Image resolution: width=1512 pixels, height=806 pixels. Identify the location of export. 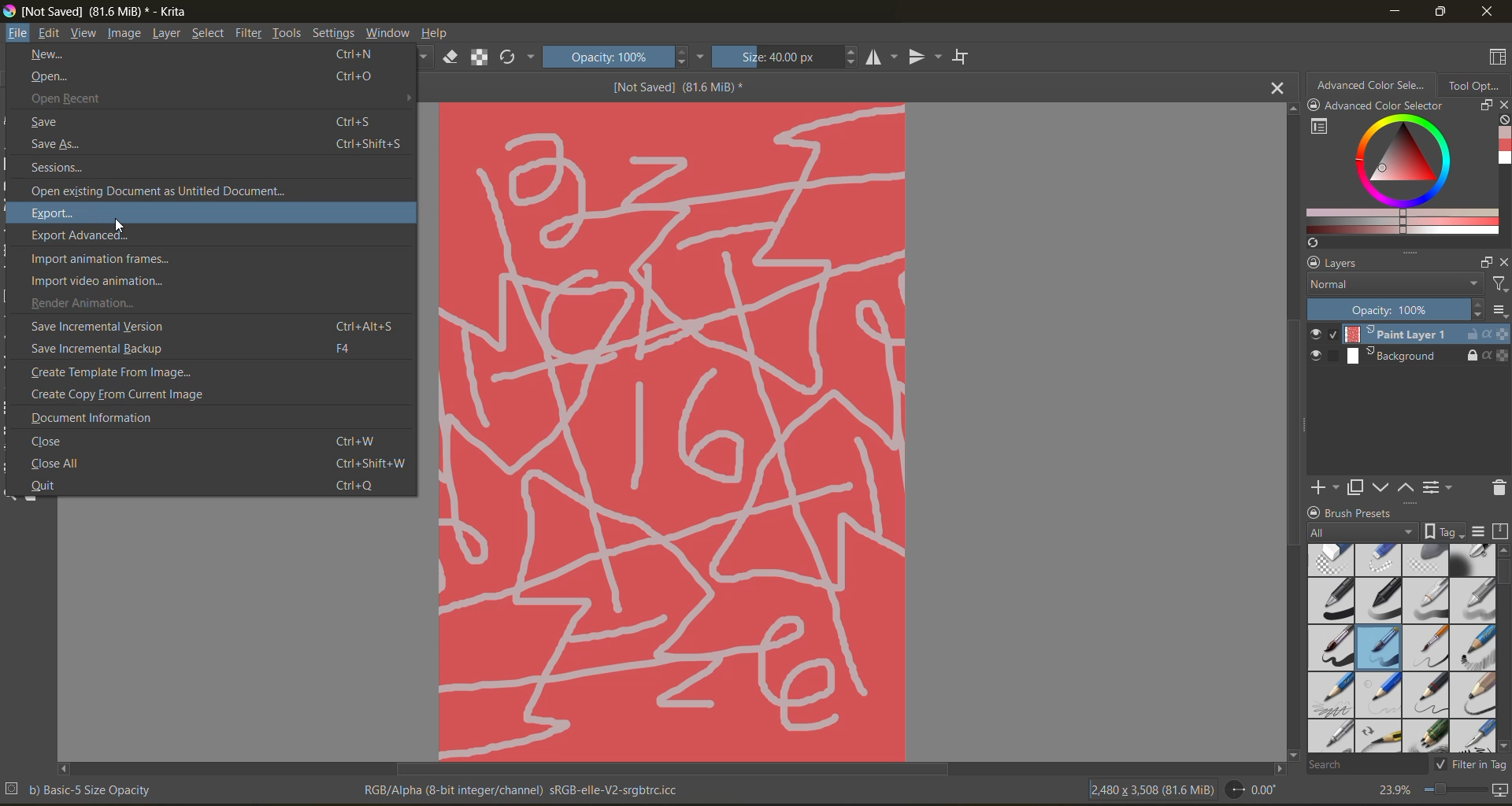
(55, 214).